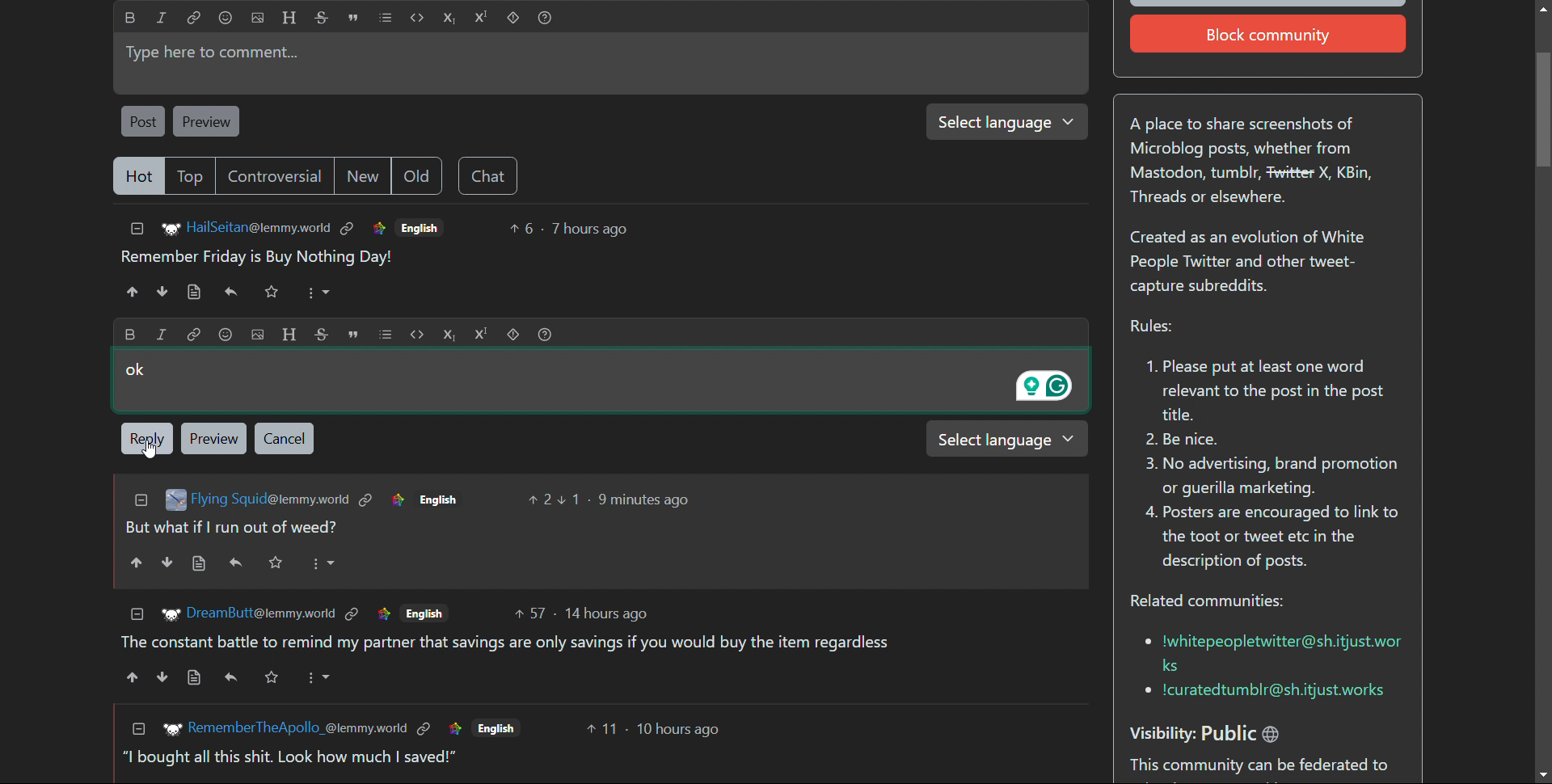  Describe the element at coordinates (630, 500) in the screenshot. I see `time of posting` at that location.